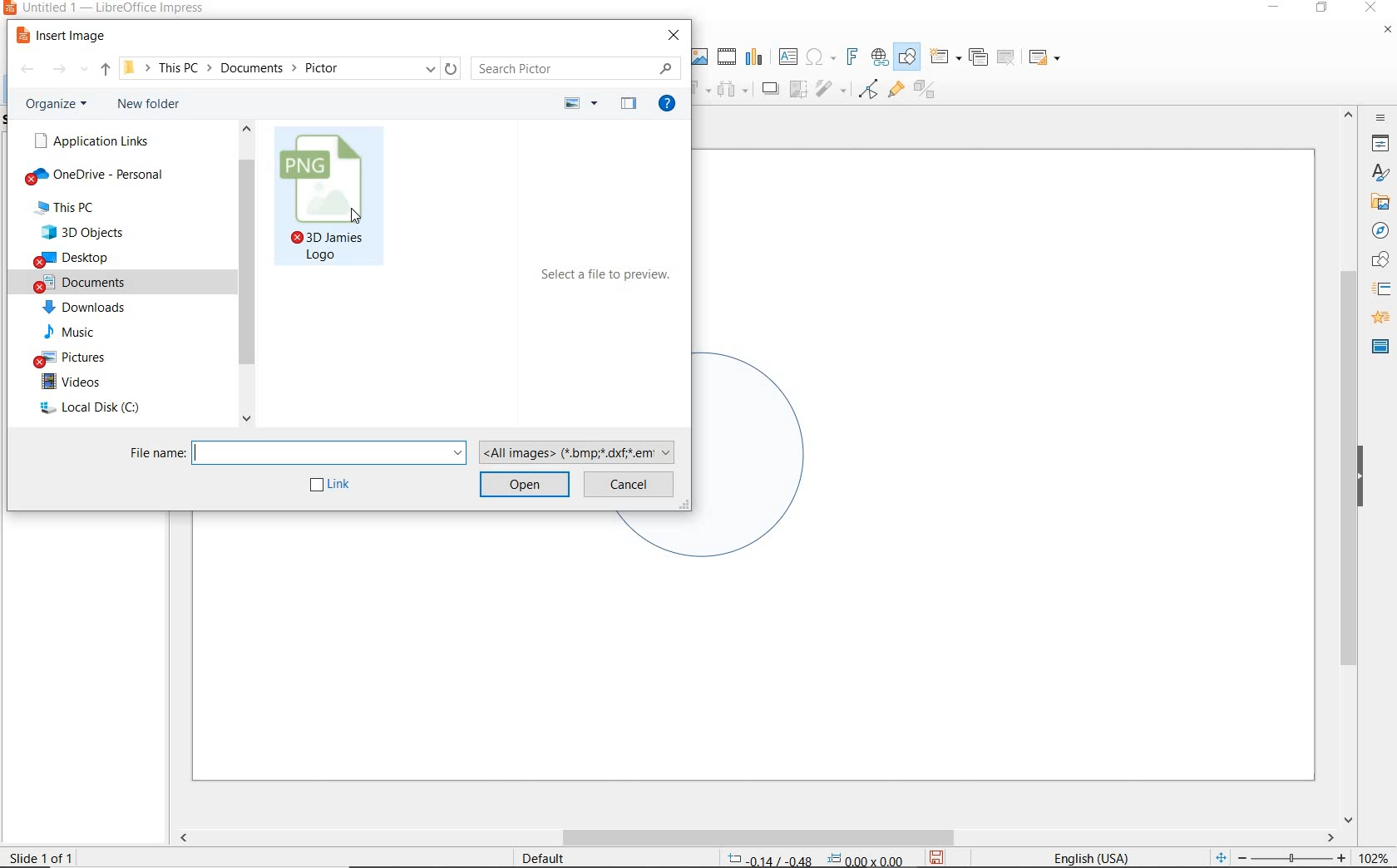  Describe the element at coordinates (1360, 478) in the screenshot. I see `hide` at that location.